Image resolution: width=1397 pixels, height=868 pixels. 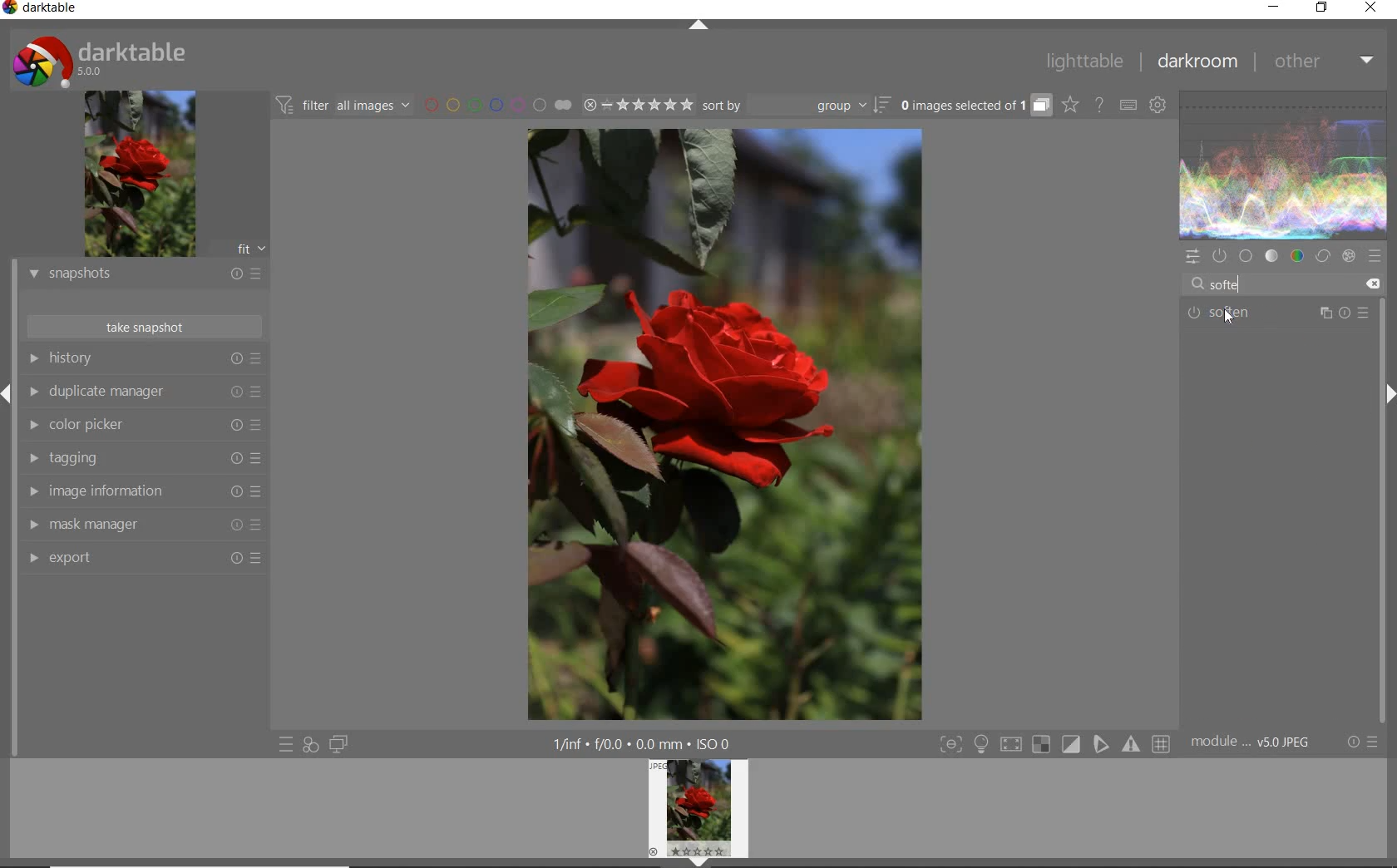 I want to click on expand/collapse, so click(x=702, y=27).